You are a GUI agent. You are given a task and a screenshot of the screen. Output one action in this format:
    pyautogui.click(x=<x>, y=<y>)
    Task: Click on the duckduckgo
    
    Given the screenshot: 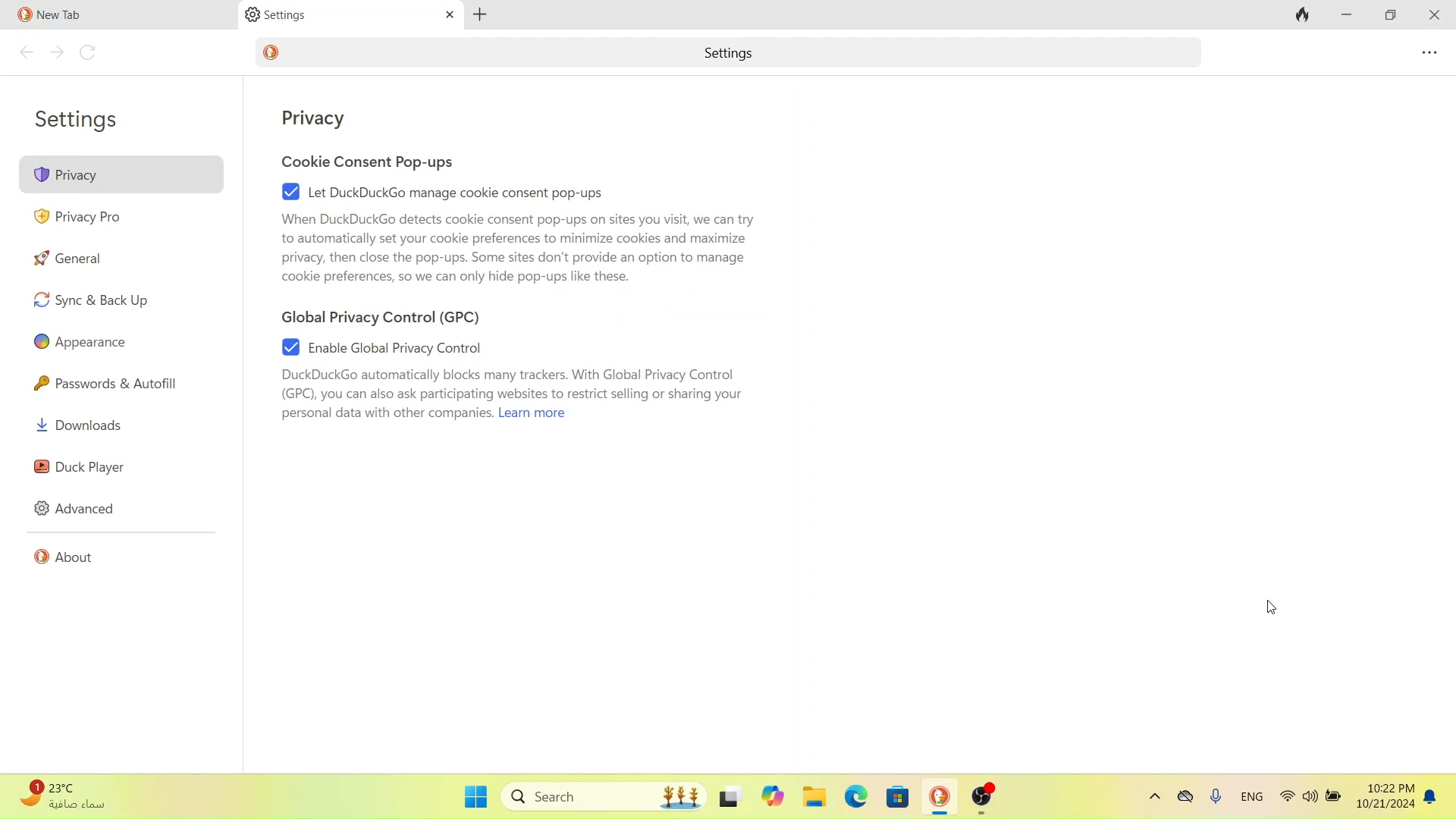 What is the action you would take?
    pyautogui.click(x=939, y=800)
    